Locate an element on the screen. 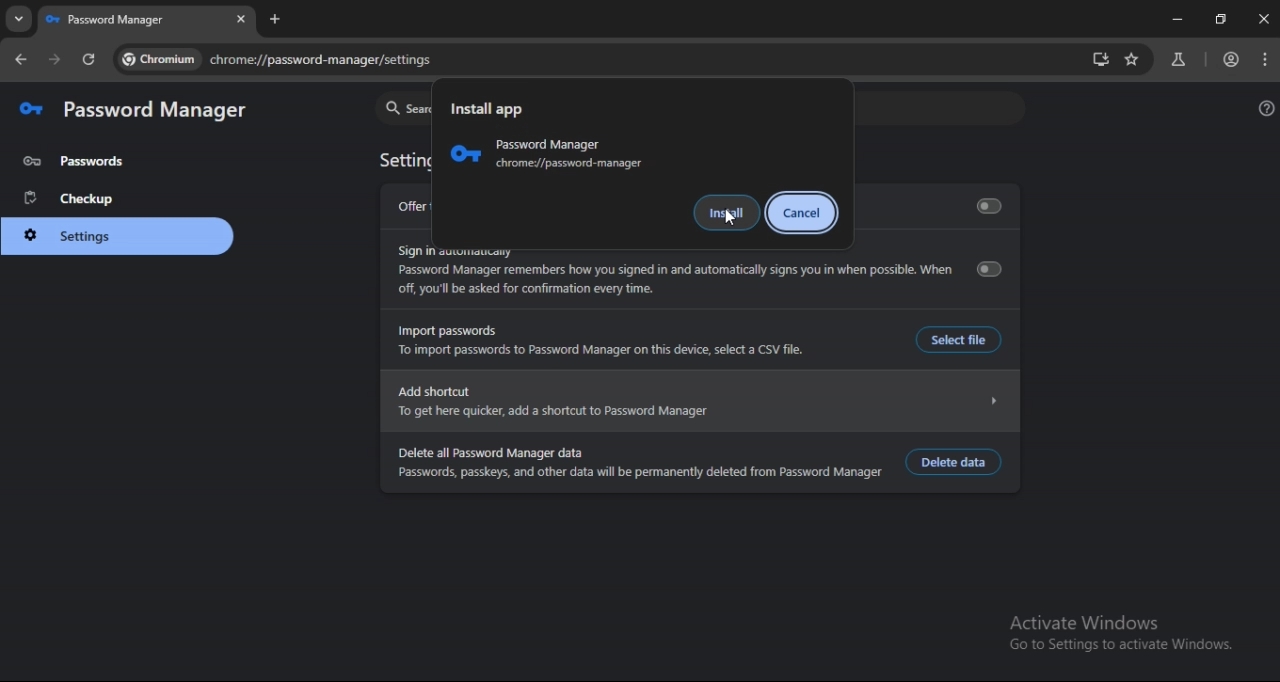  password manager is located at coordinates (134, 110).